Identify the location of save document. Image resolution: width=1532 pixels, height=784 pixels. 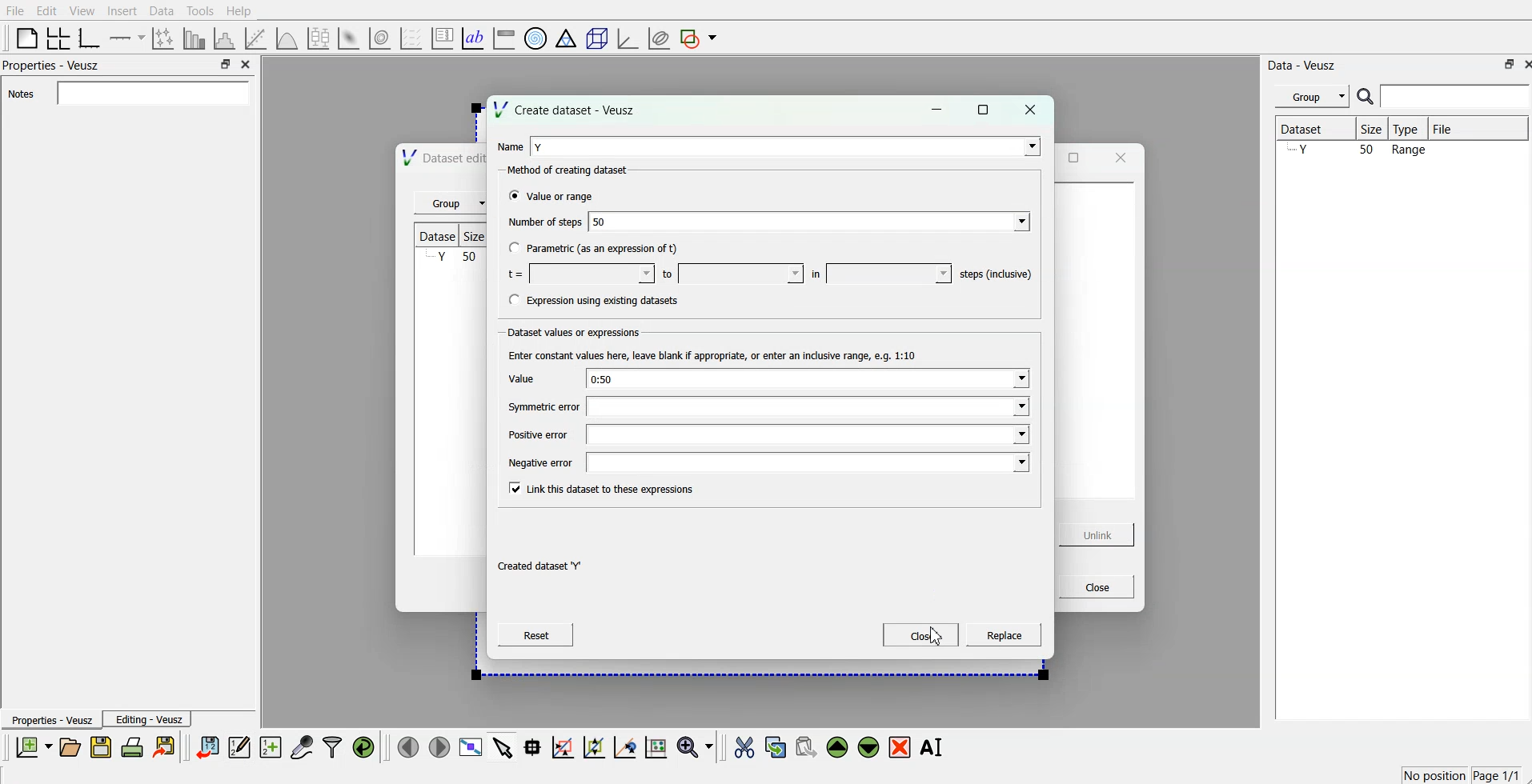
(101, 748).